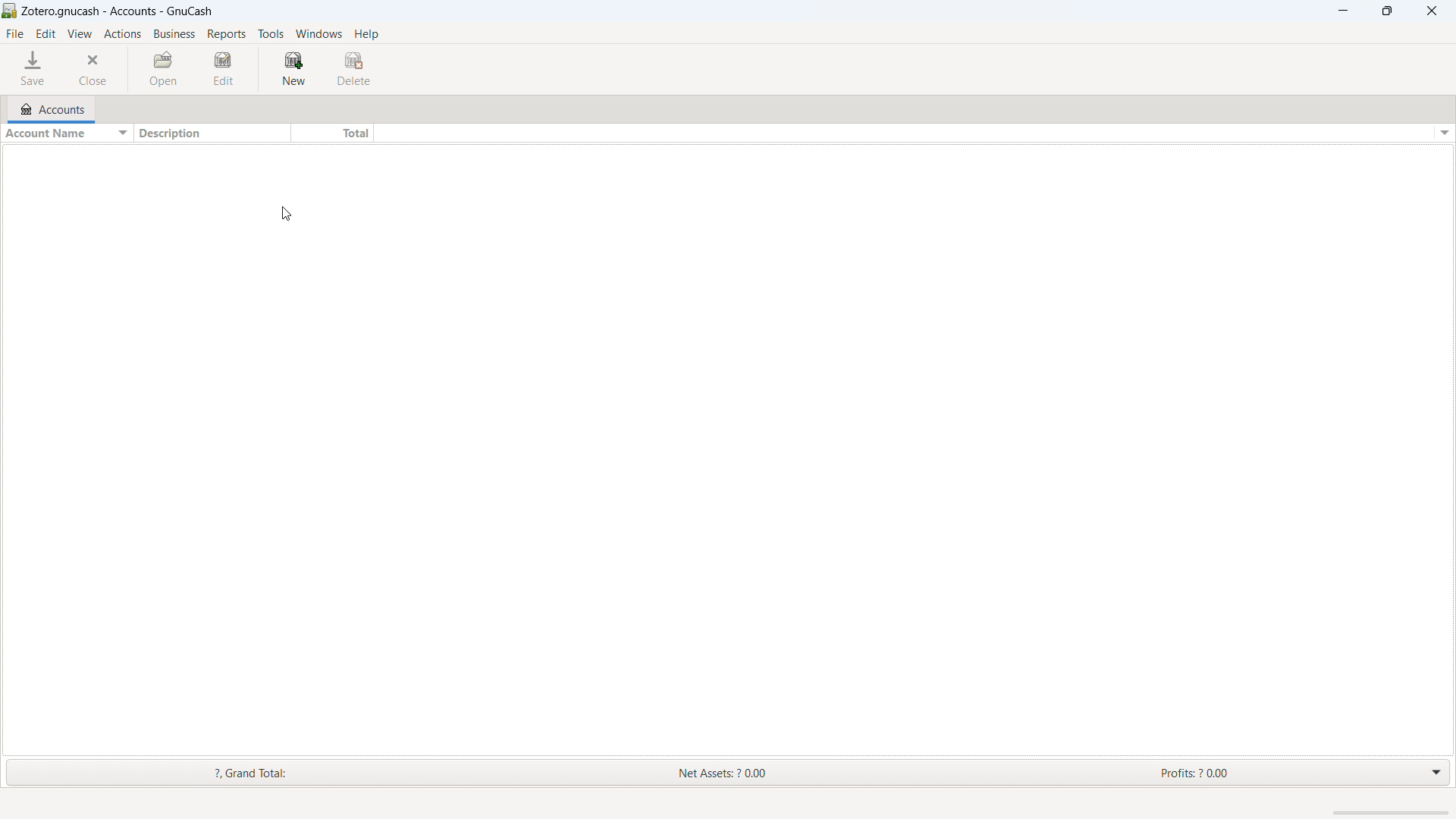 The width and height of the screenshot is (1456, 819). I want to click on edit, so click(46, 33).